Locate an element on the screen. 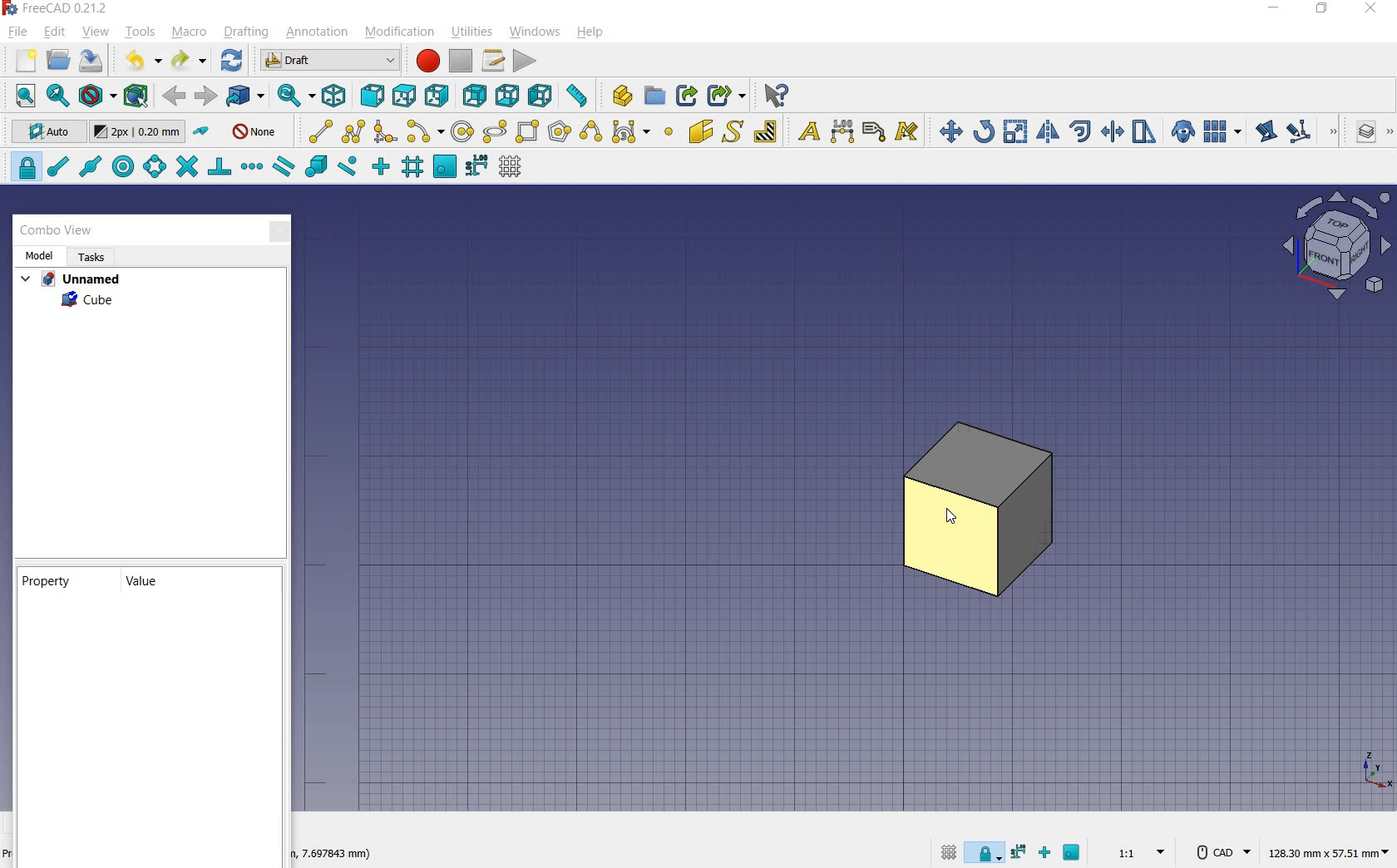 Image resolution: width=1397 pixels, height=868 pixels. toggle grid is located at coordinates (949, 854).